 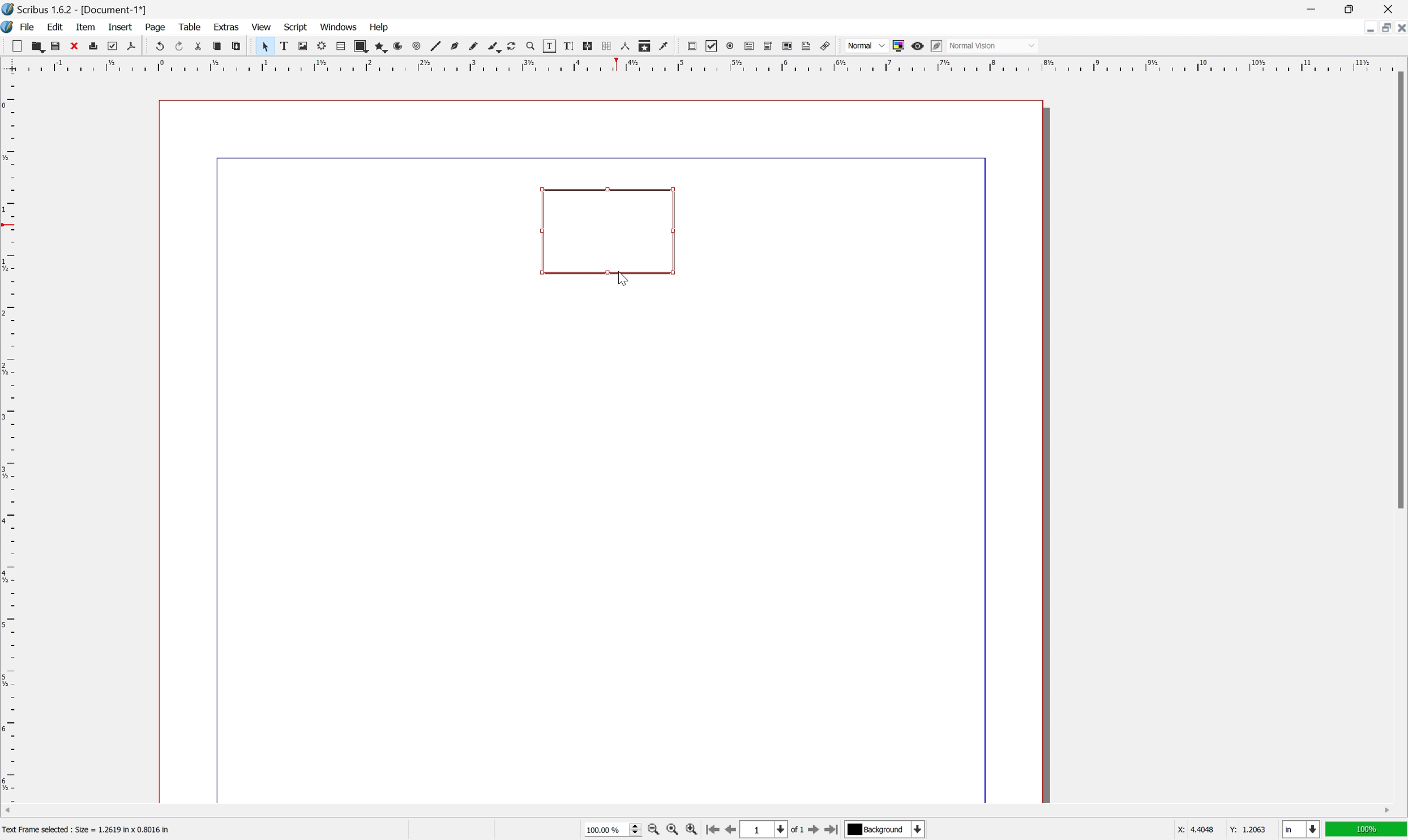 What do you see at coordinates (473, 46) in the screenshot?
I see `freehand line` at bounding box center [473, 46].